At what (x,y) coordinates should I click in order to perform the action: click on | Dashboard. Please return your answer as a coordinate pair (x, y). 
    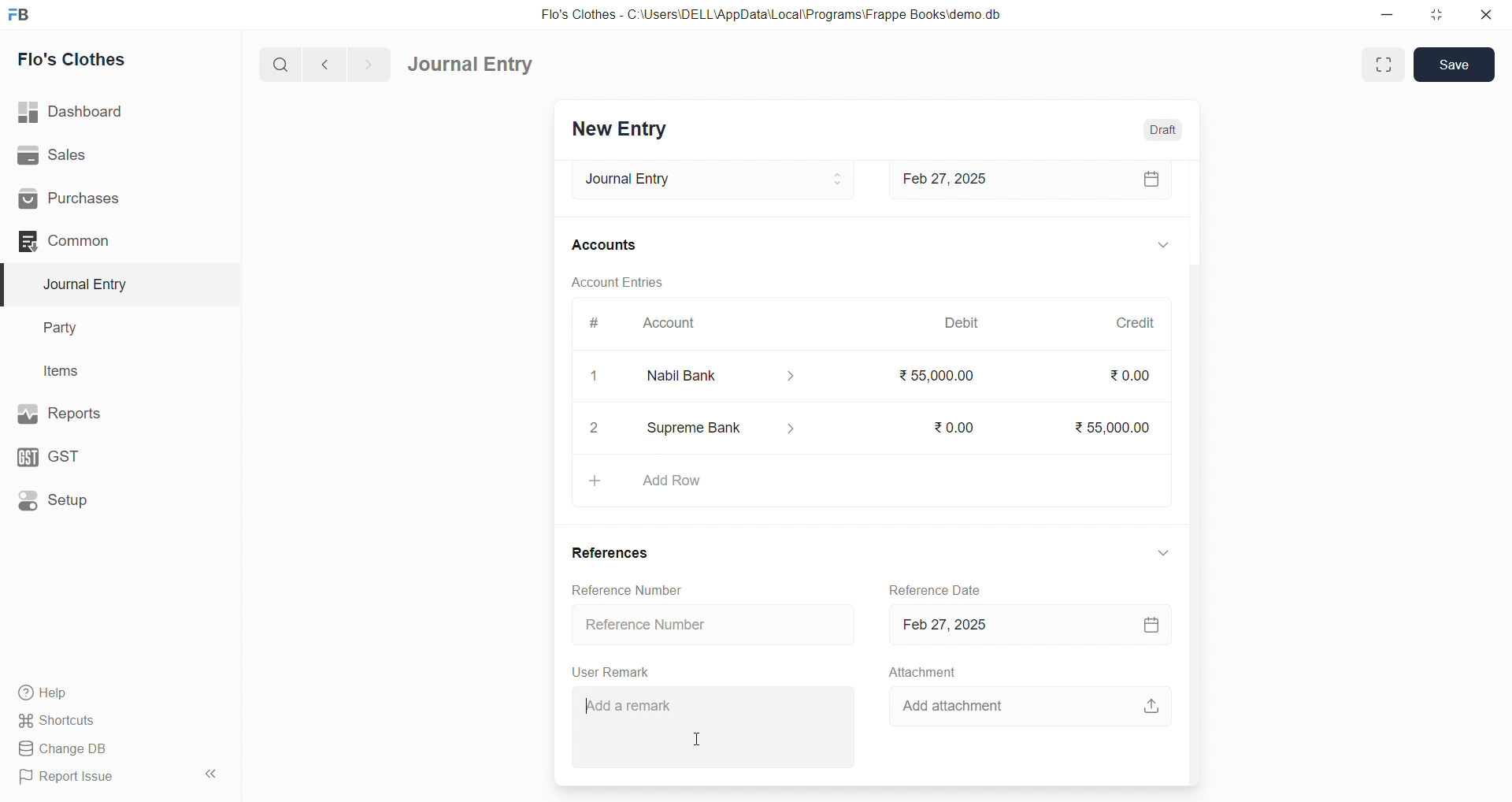
    Looking at the image, I should click on (86, 113).